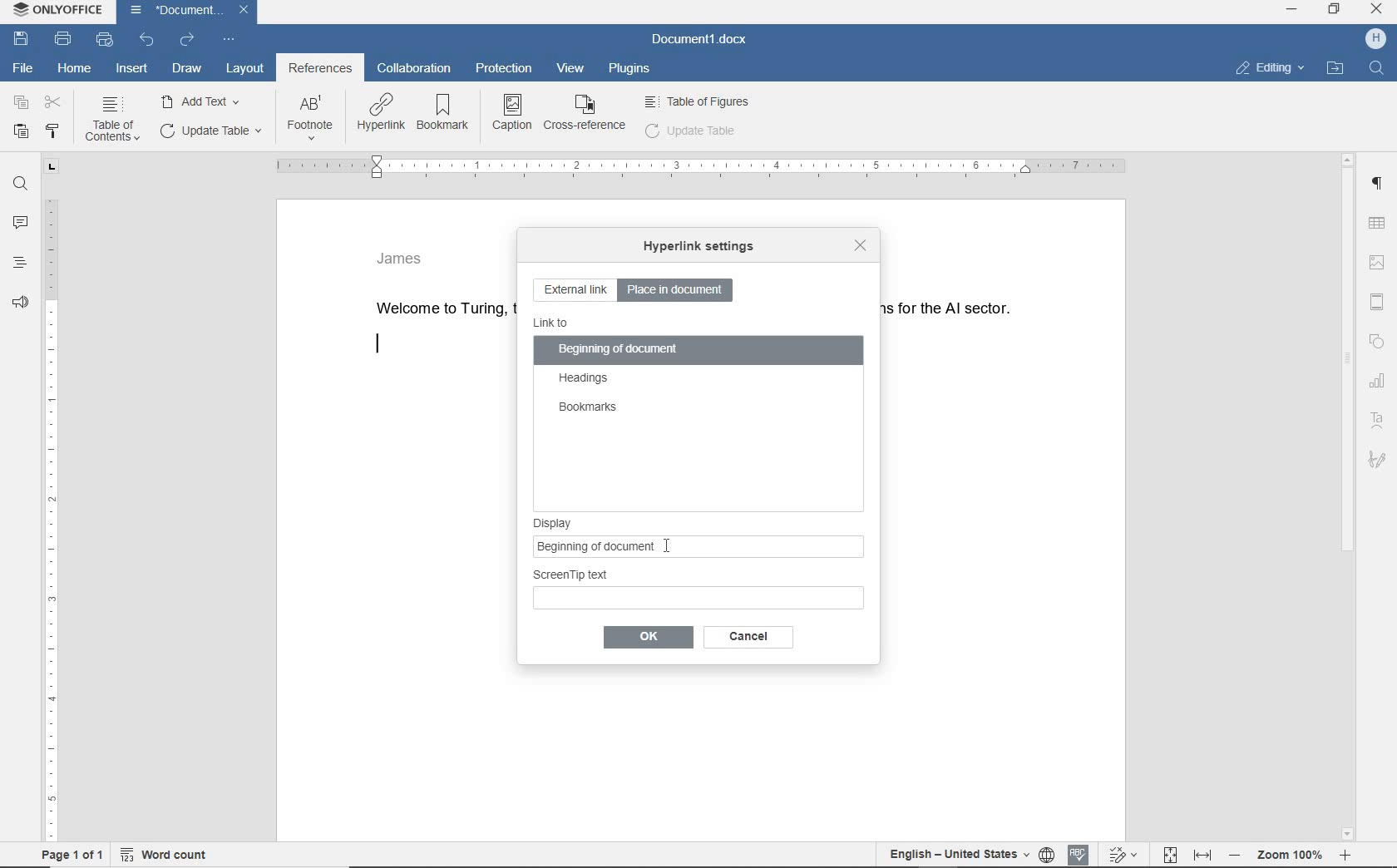 This screenshot has width=1397, height=868. I want to click on ruler, so click(50, 501).